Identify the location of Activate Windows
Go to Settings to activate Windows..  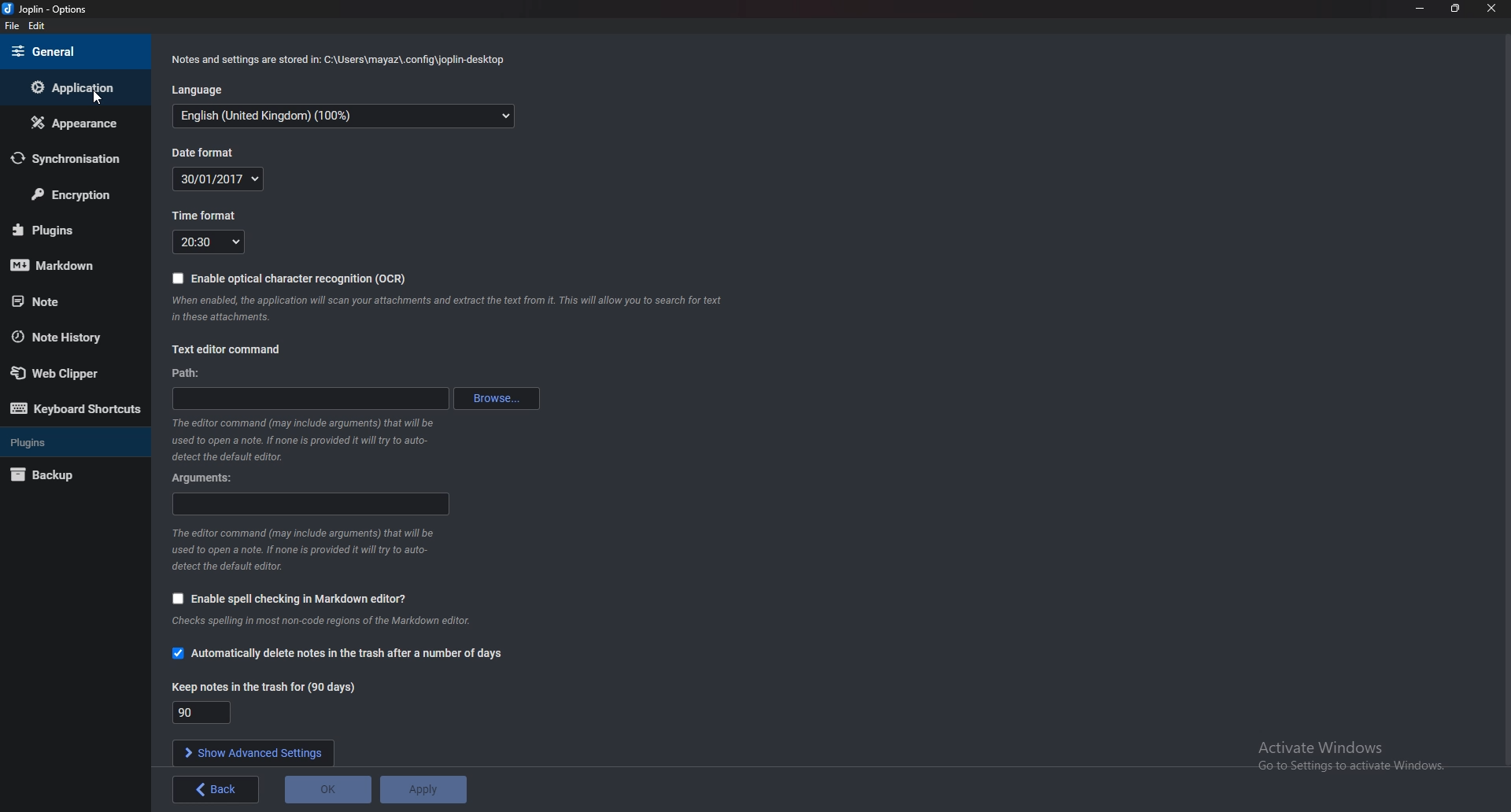
(1354, 756).